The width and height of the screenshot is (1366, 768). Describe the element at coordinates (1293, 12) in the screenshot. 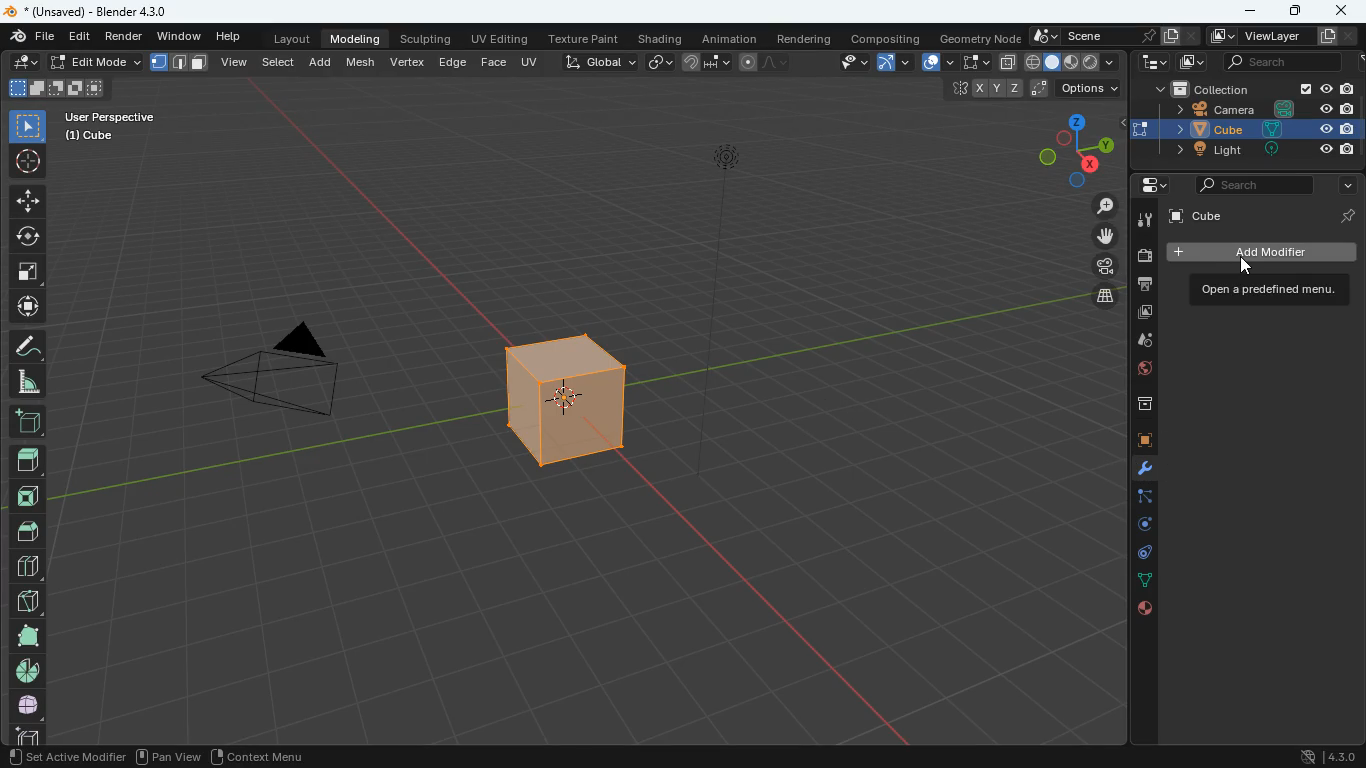

I see `maximize` at that location.